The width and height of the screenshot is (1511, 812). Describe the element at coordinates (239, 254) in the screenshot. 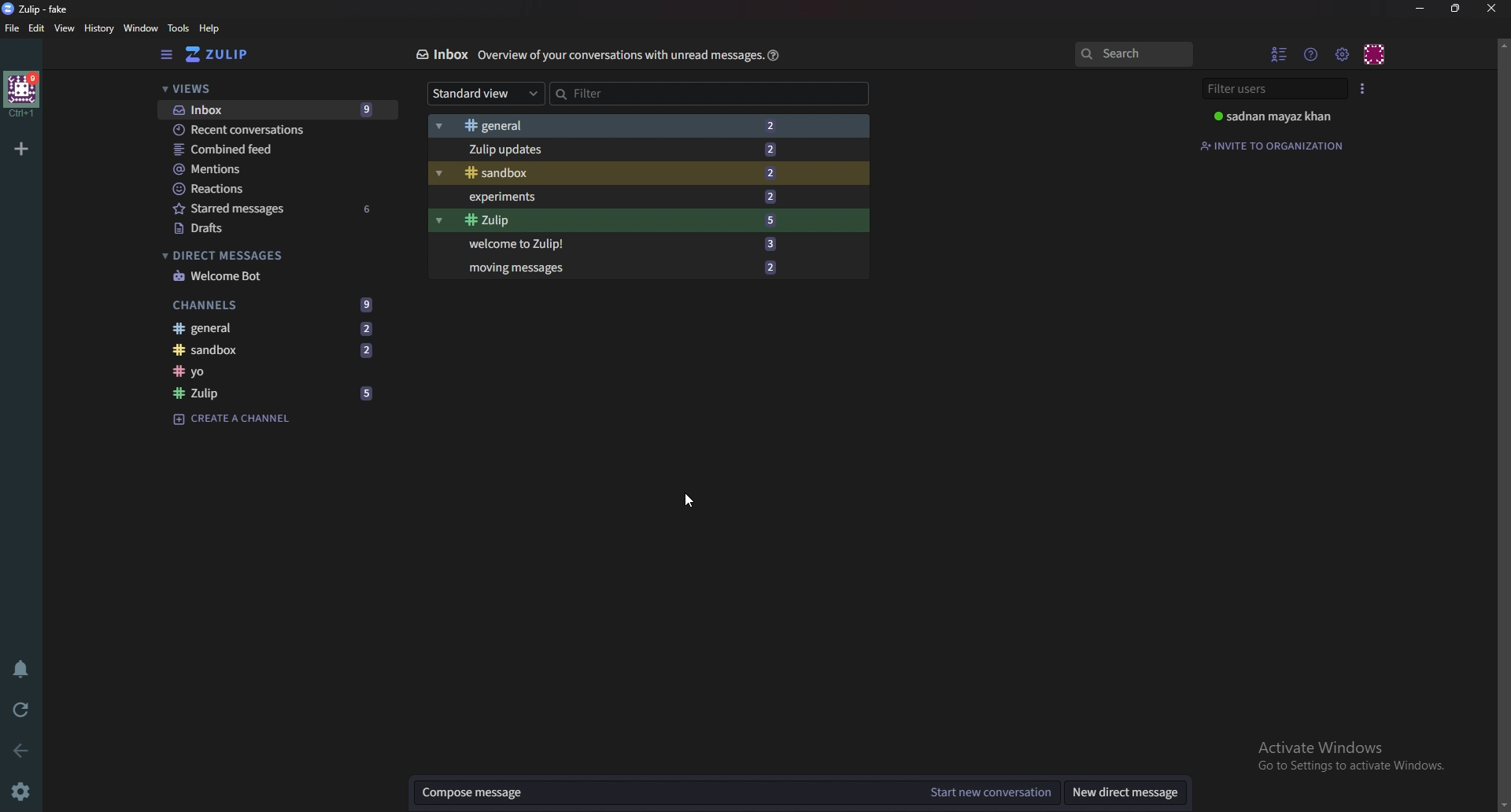

I see `Direct messages` at that location.